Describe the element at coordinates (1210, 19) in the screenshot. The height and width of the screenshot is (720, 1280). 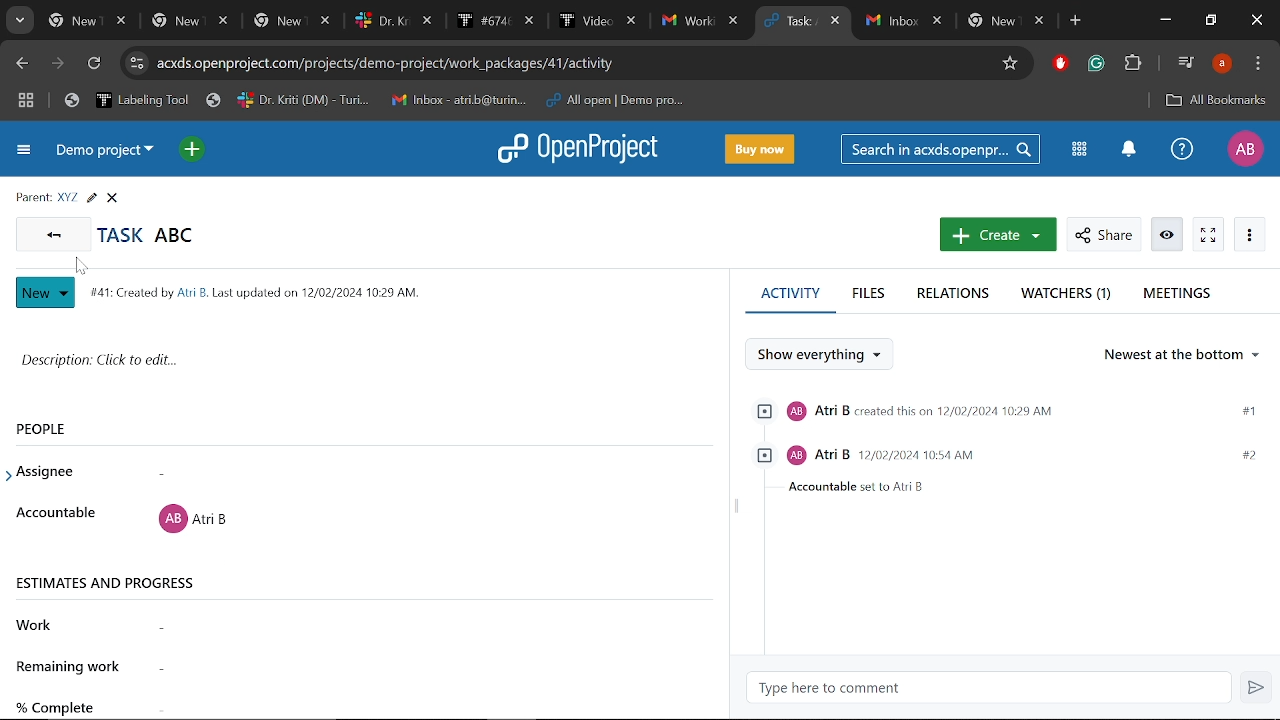
I see `Restore down` at that location.